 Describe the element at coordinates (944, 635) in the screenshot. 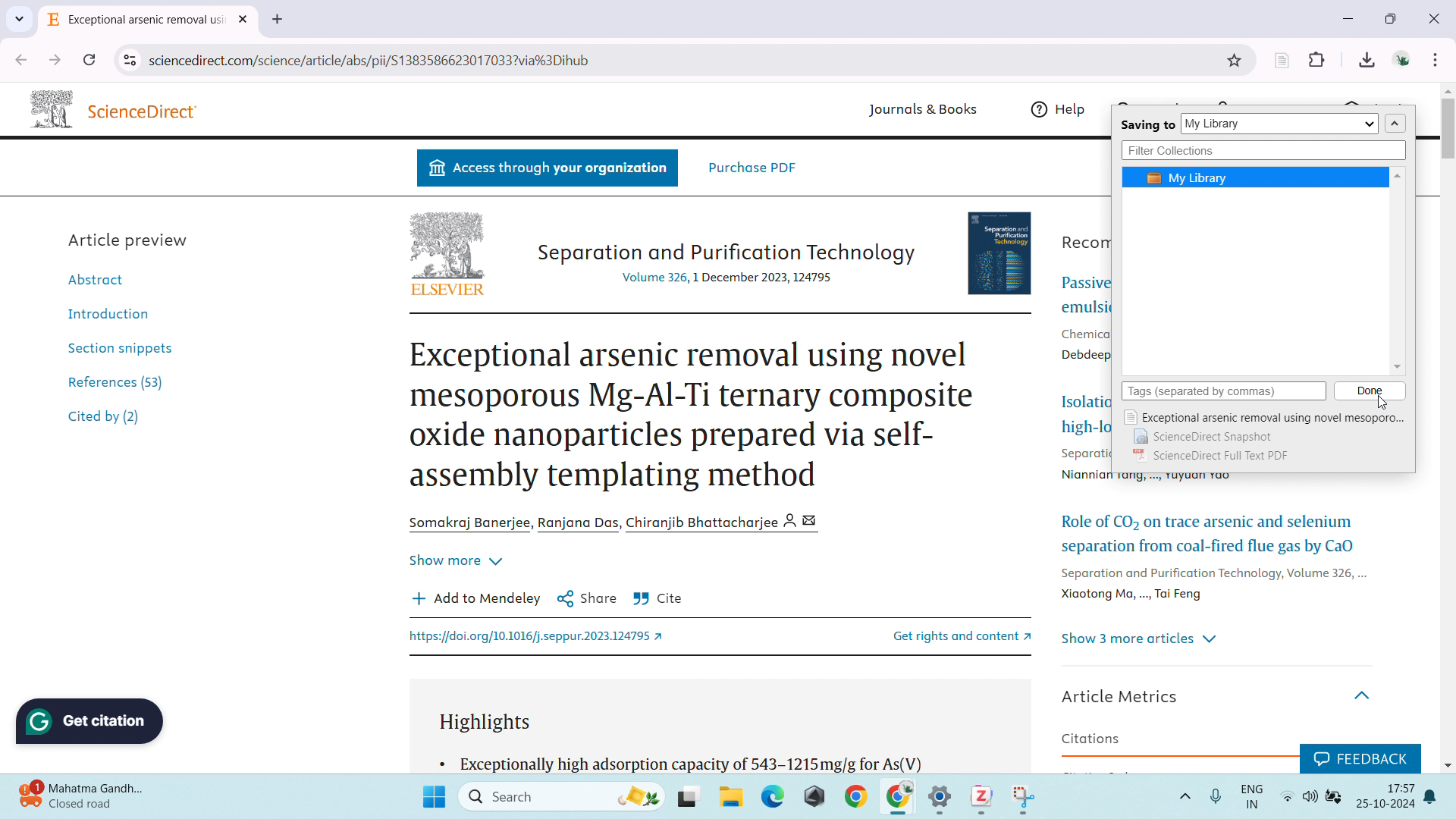

I see `Get rights and content ` at that location.